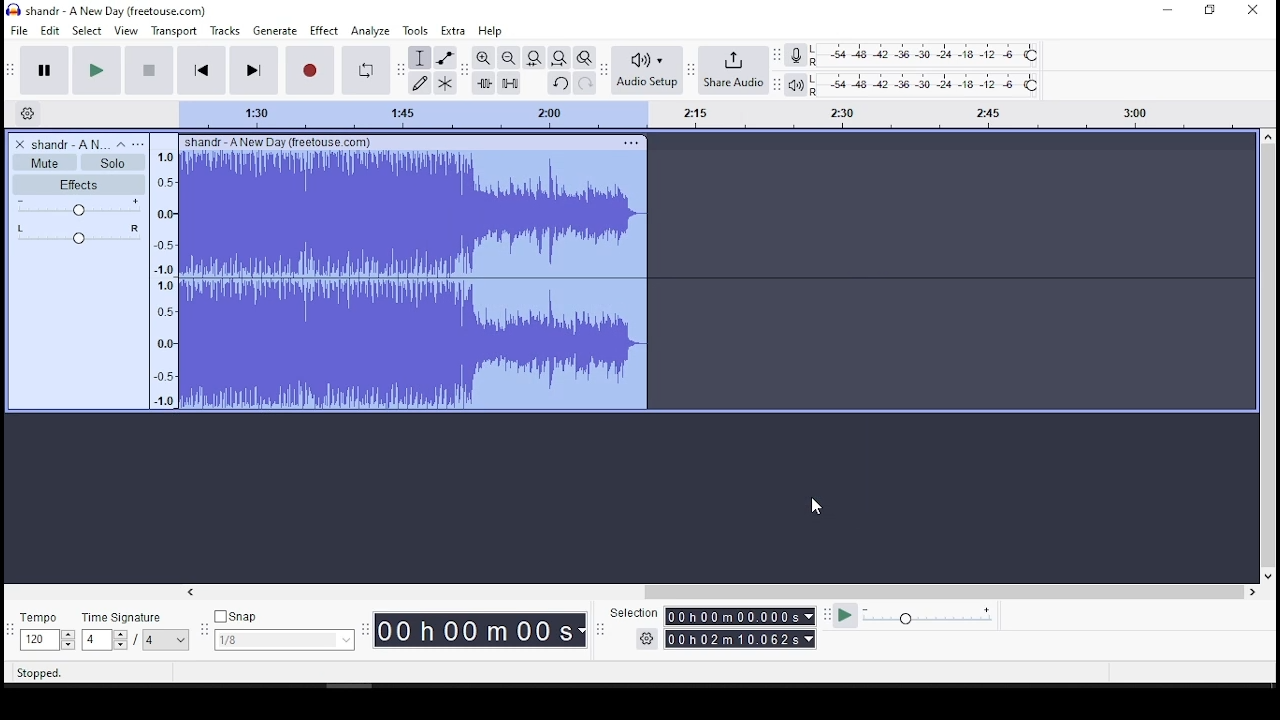 This screenshot has height=720, width=1280. I want to click on stop, so click(147, 71).